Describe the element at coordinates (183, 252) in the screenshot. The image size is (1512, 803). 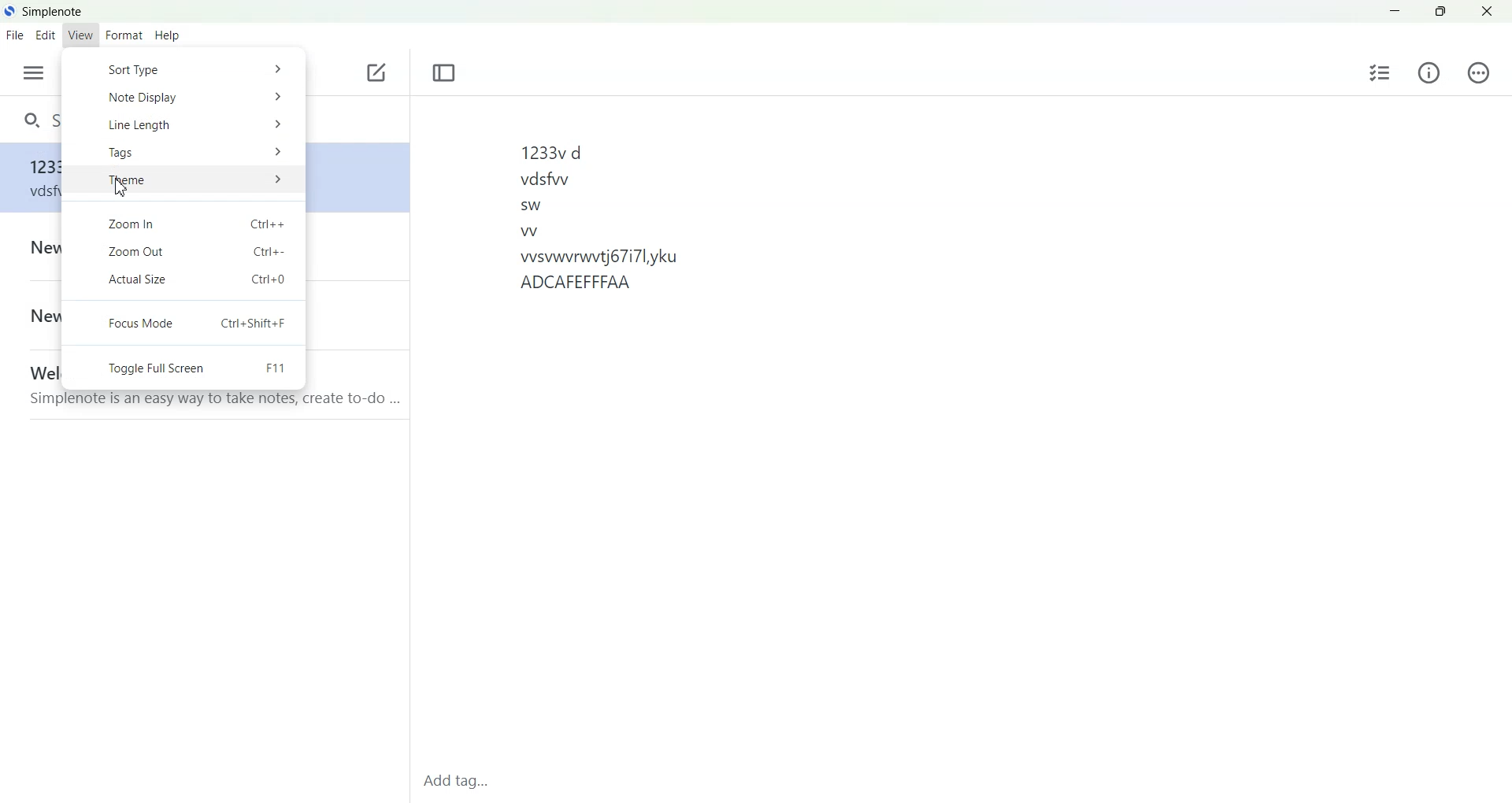
I see `Zoom Out` at that location.